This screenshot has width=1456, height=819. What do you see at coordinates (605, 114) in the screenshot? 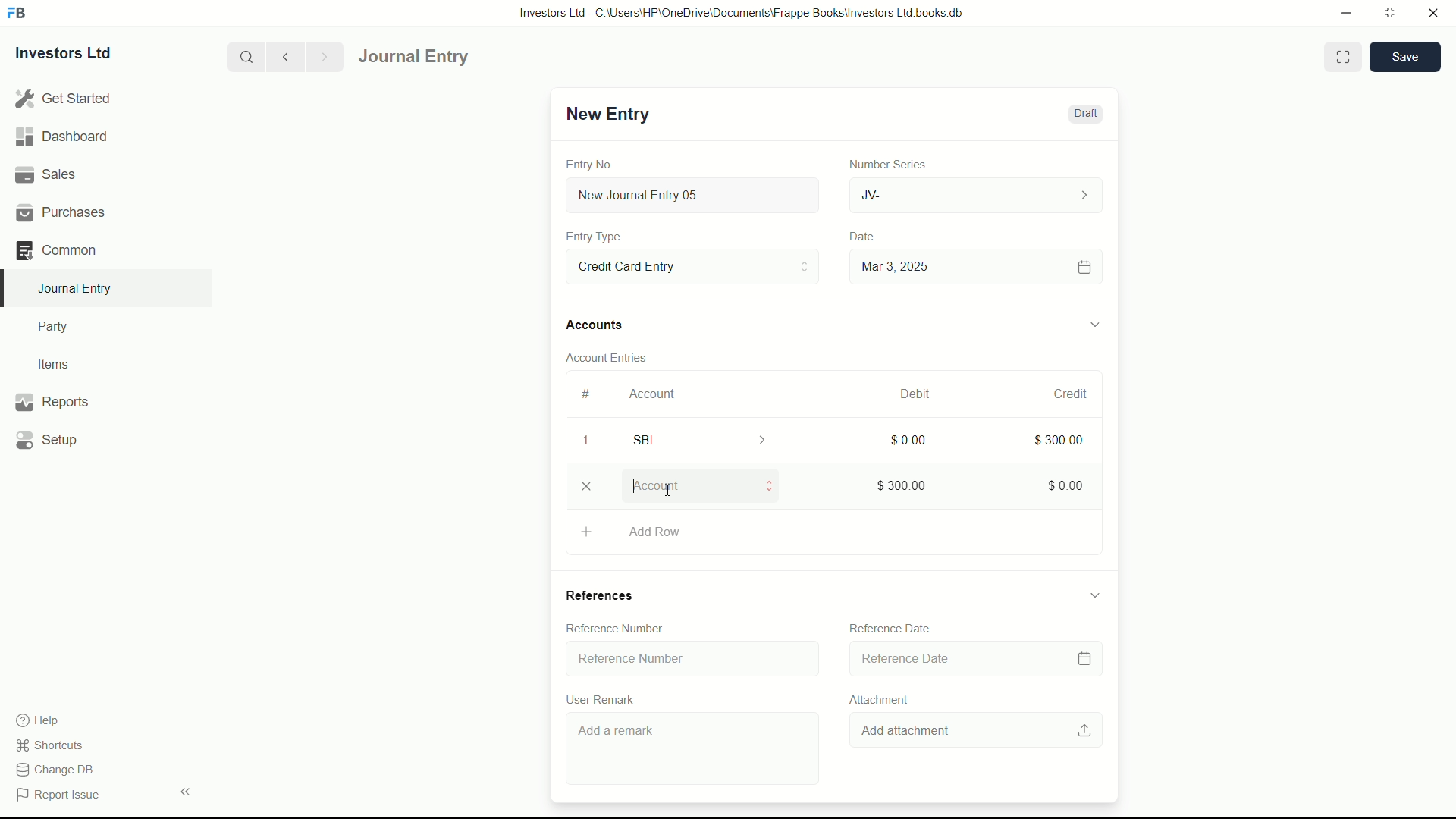
I see `New Entry` at bounding box center [605, 114].